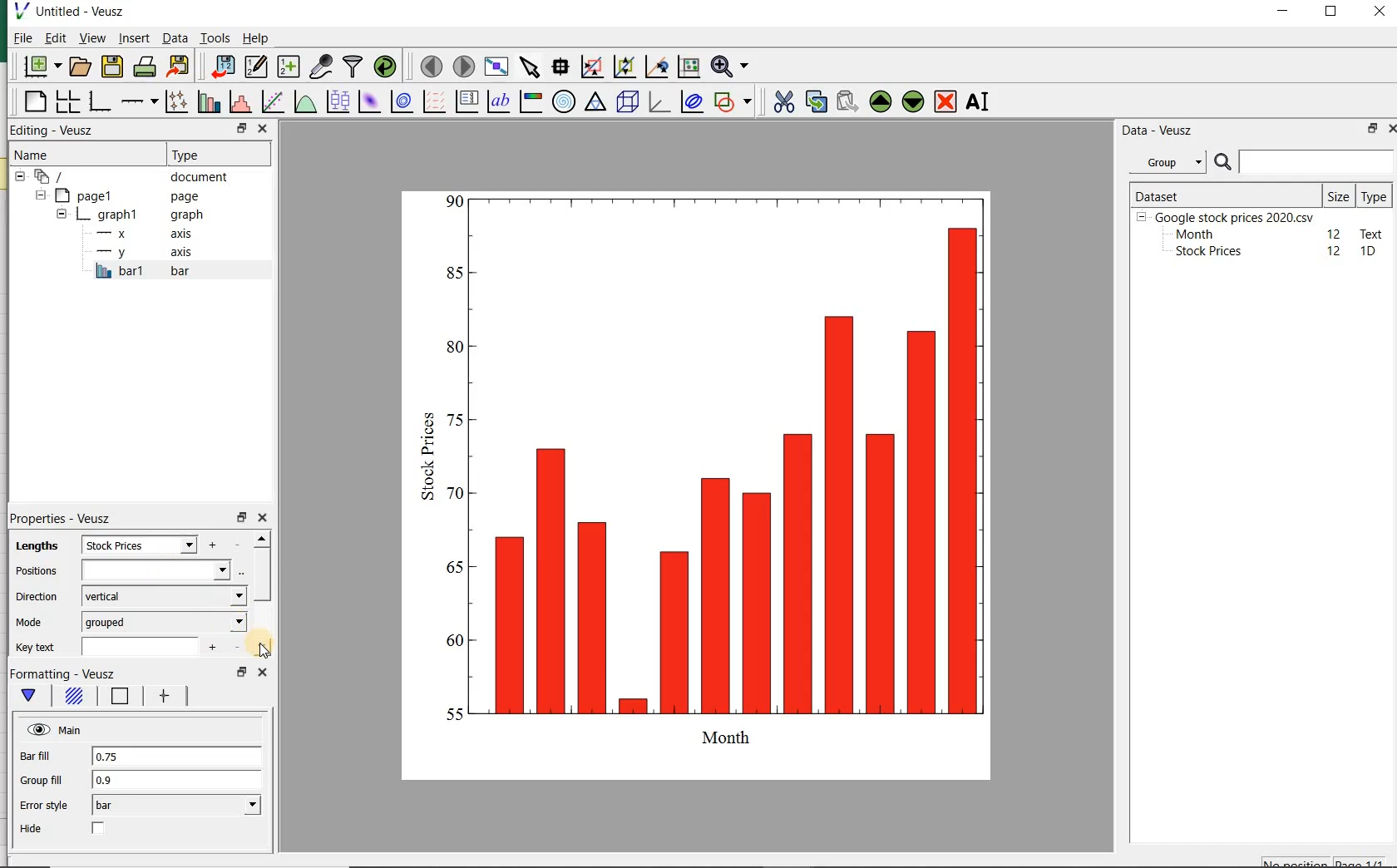 This screenshot has width=1397, height=868. I want to click on move the selected widget down, so click(913, 101).